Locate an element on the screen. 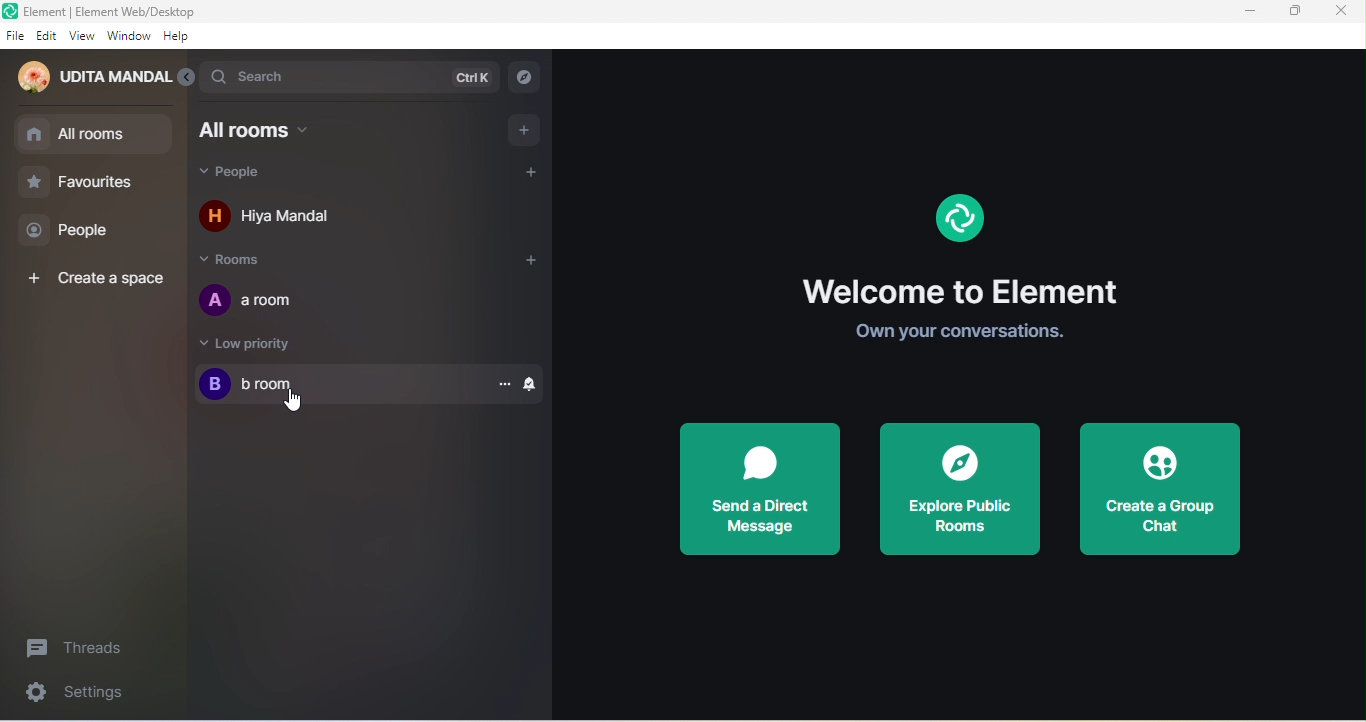 The image size is (1366, 722). explore public rooms is located at coordinates (961, 494).